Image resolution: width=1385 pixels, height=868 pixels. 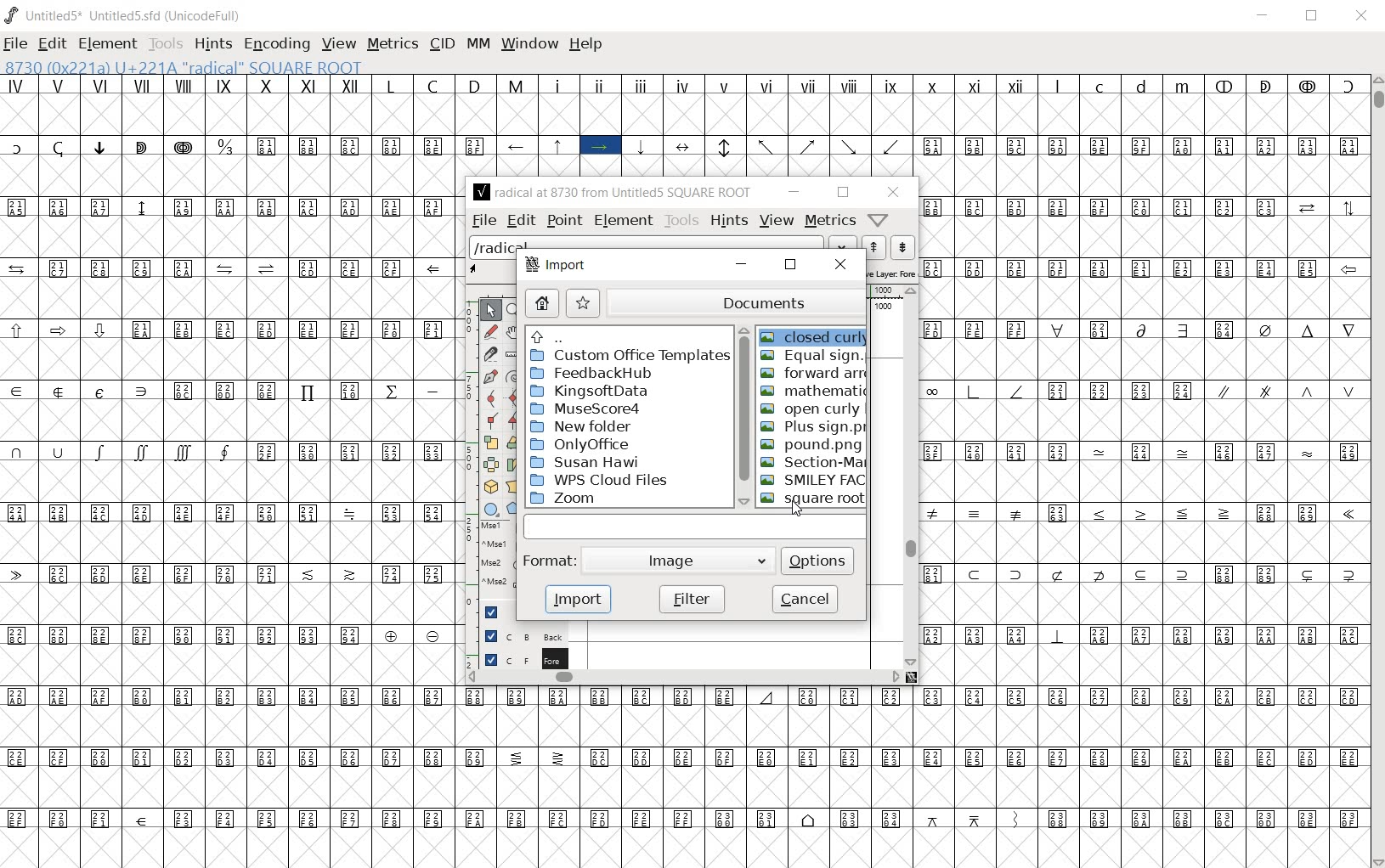 What do you see at coordinates (841, 191) in the screenshot?
I see `restore down` at bounding box center [841, 191].